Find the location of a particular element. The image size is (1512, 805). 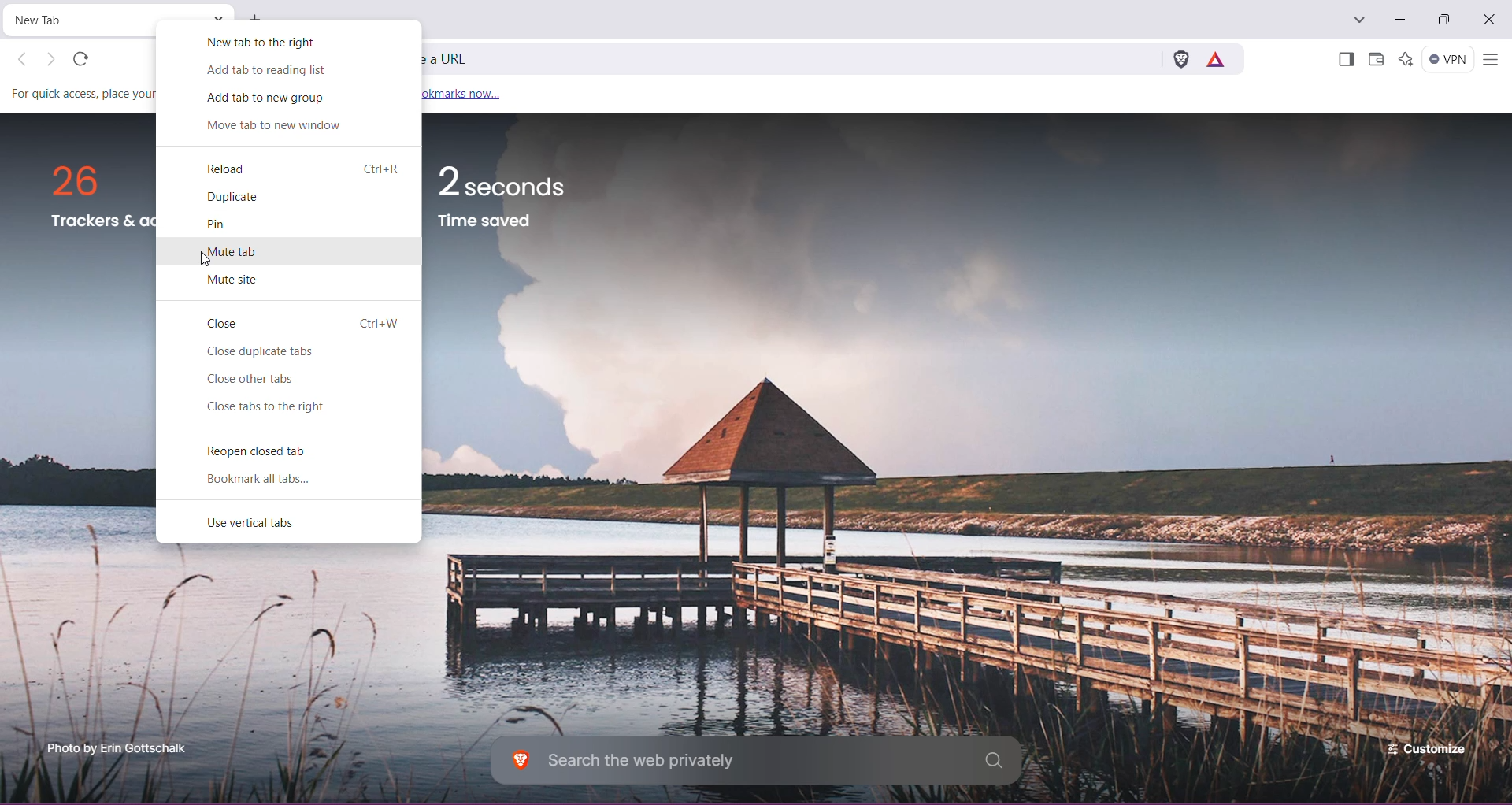

Close is located at coordinates (1491, 20).